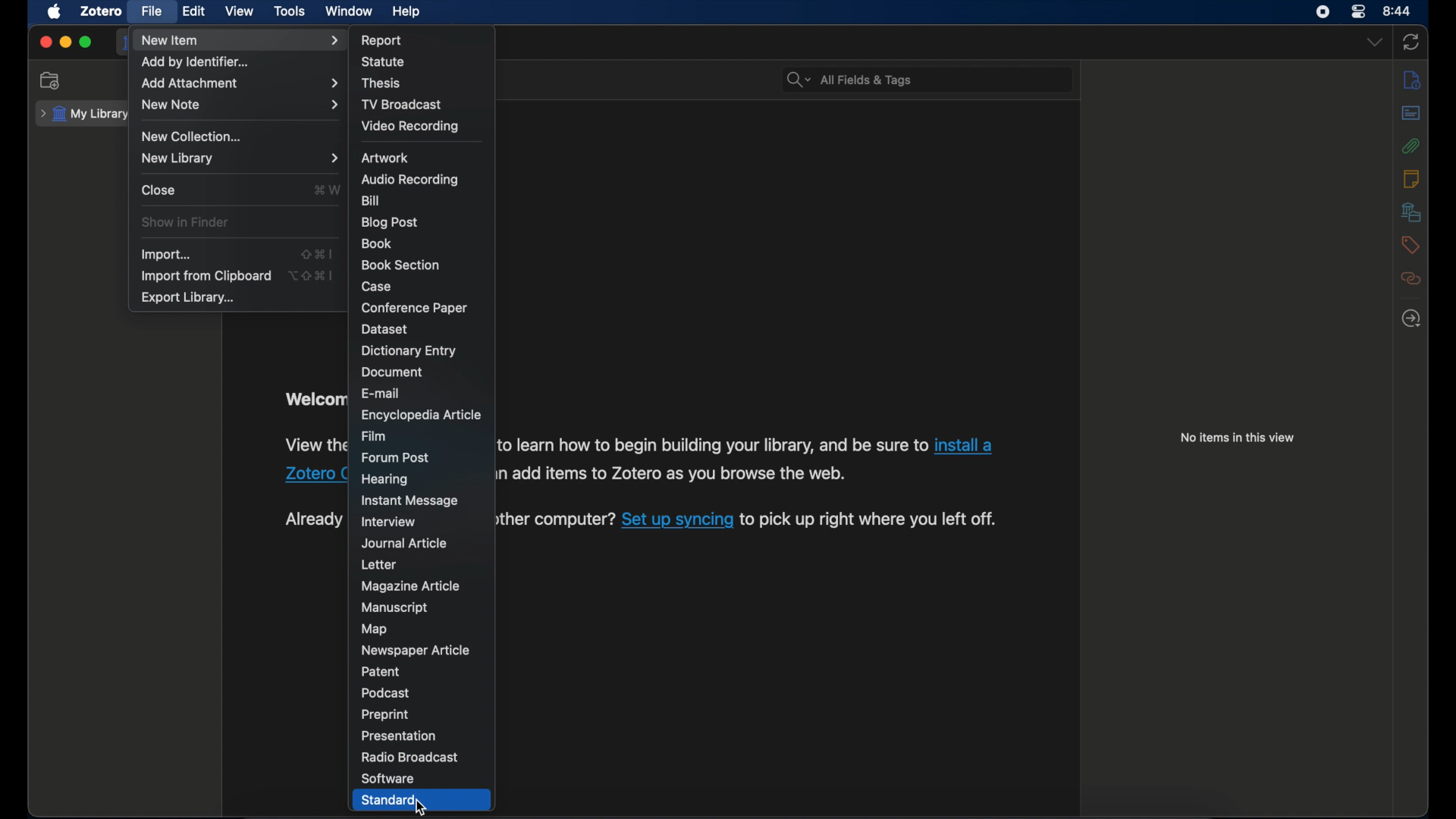  Describe the element at coordinates (408, 12) in the screenshot. I see `help` at that location.